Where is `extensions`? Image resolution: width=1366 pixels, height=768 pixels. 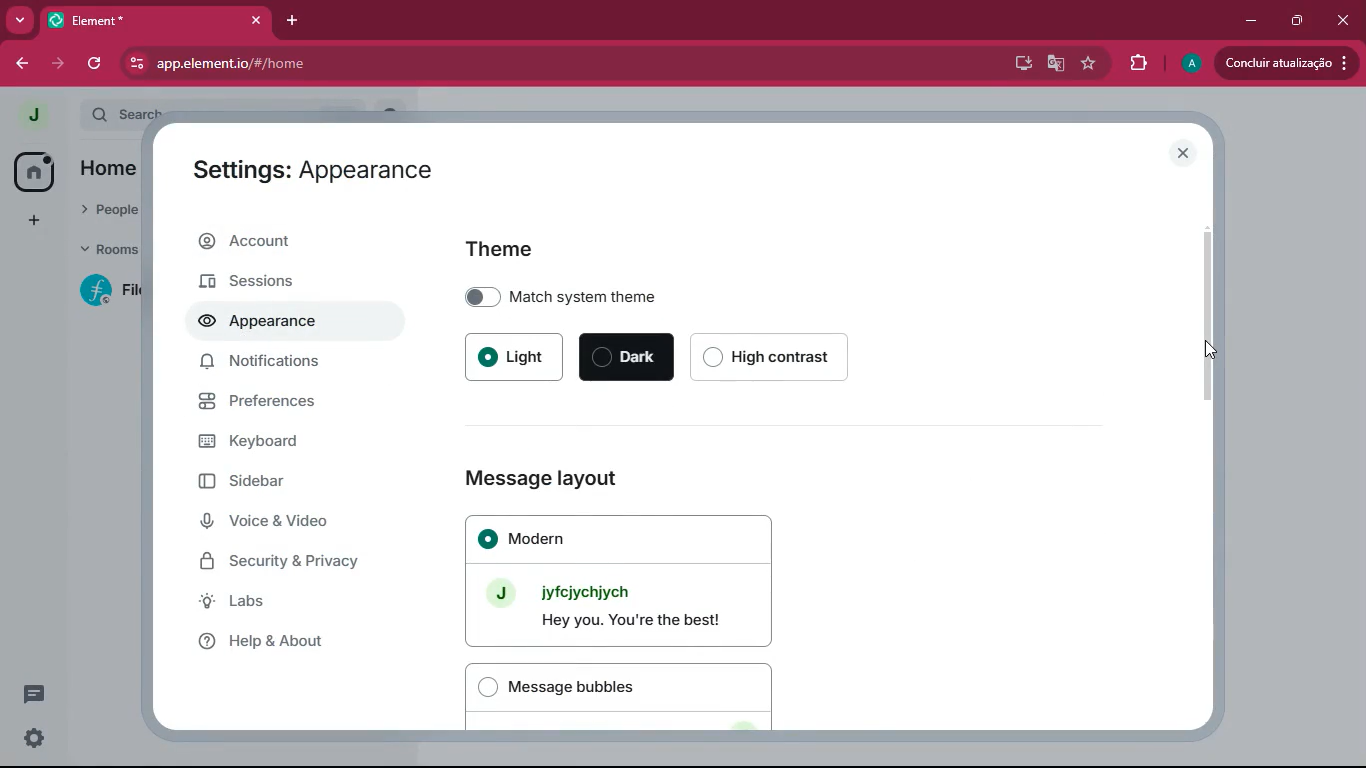
extensions is located at coordinates (1139, 64).